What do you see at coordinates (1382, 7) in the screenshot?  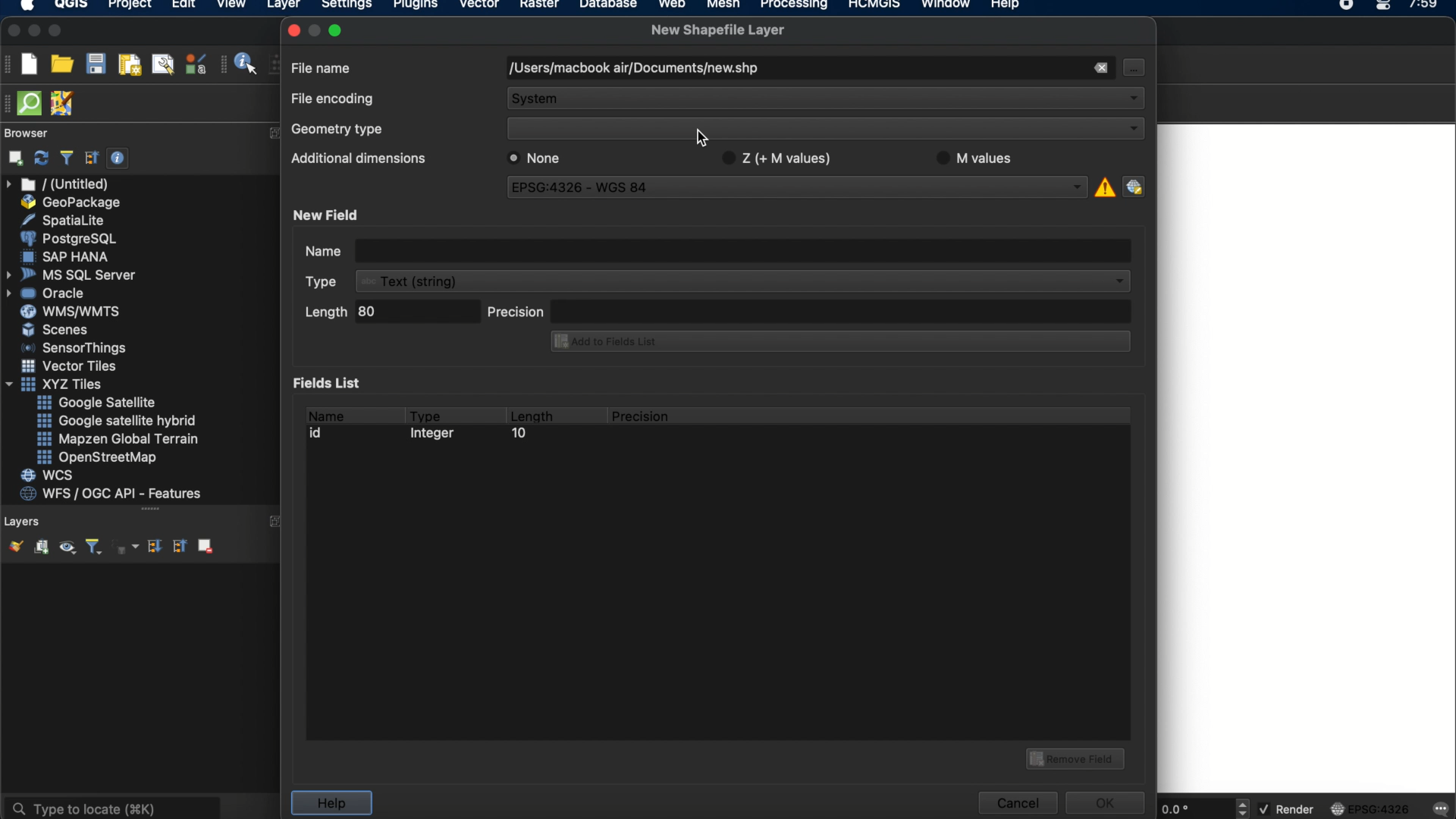 I see `control center macOS` at bounding box center [1382, 7].